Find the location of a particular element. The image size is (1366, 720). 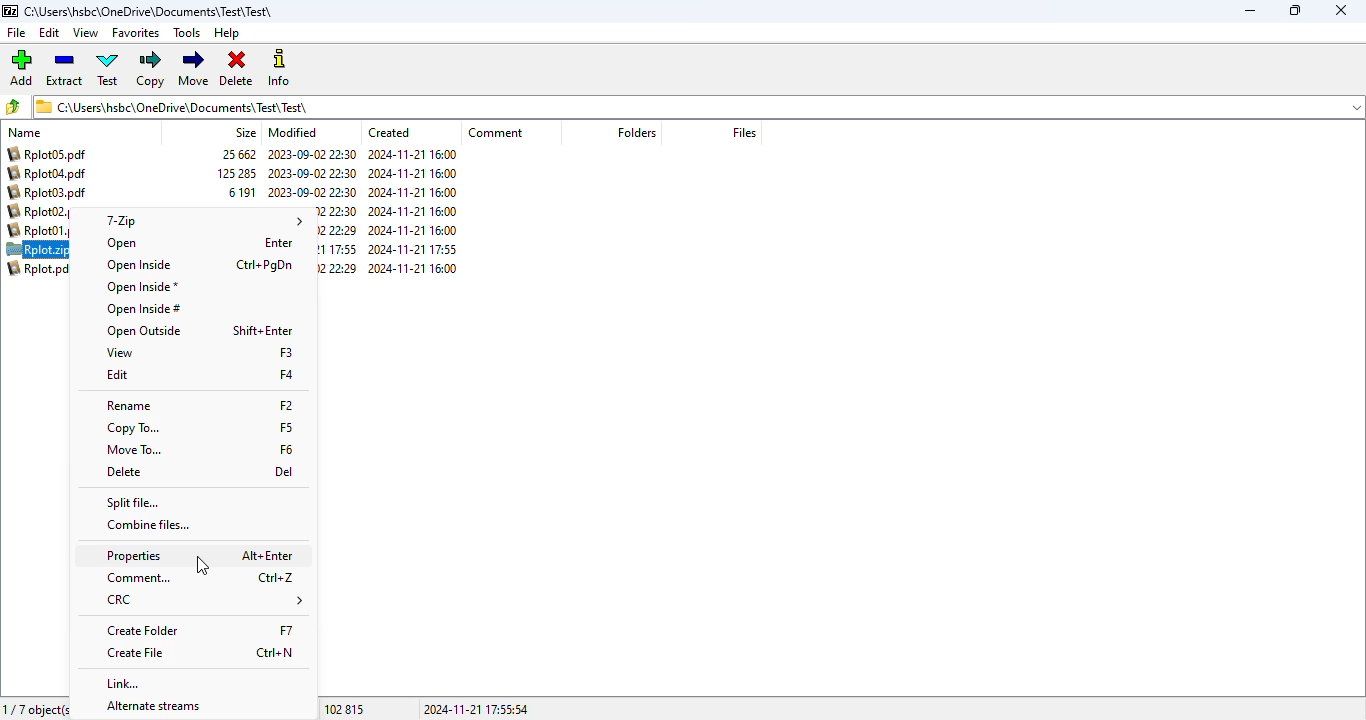

7-zip is located at coordinates (200, 220).